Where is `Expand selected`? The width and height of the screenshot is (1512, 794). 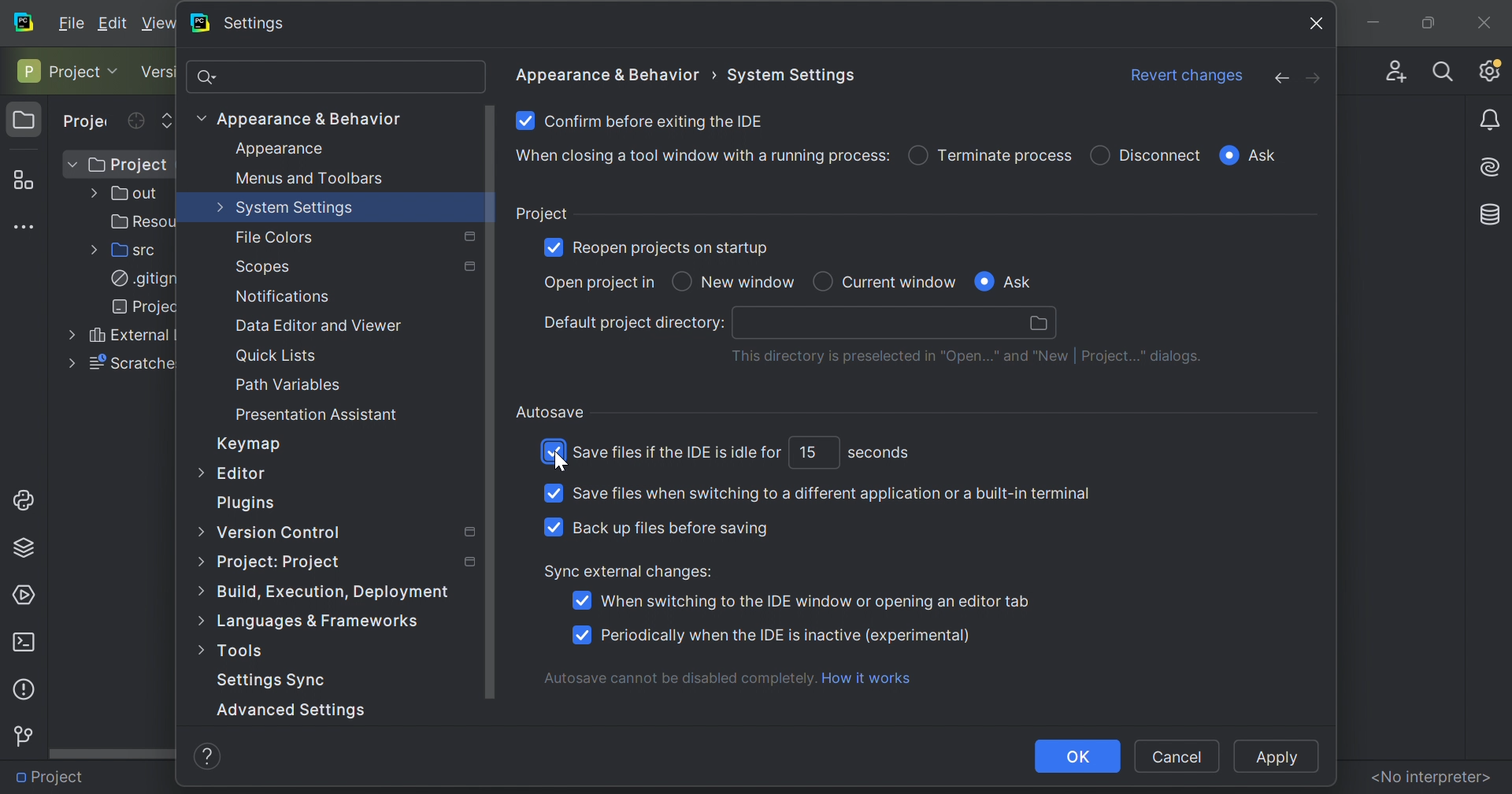
Expand selected is located at coordinates (168, 119).